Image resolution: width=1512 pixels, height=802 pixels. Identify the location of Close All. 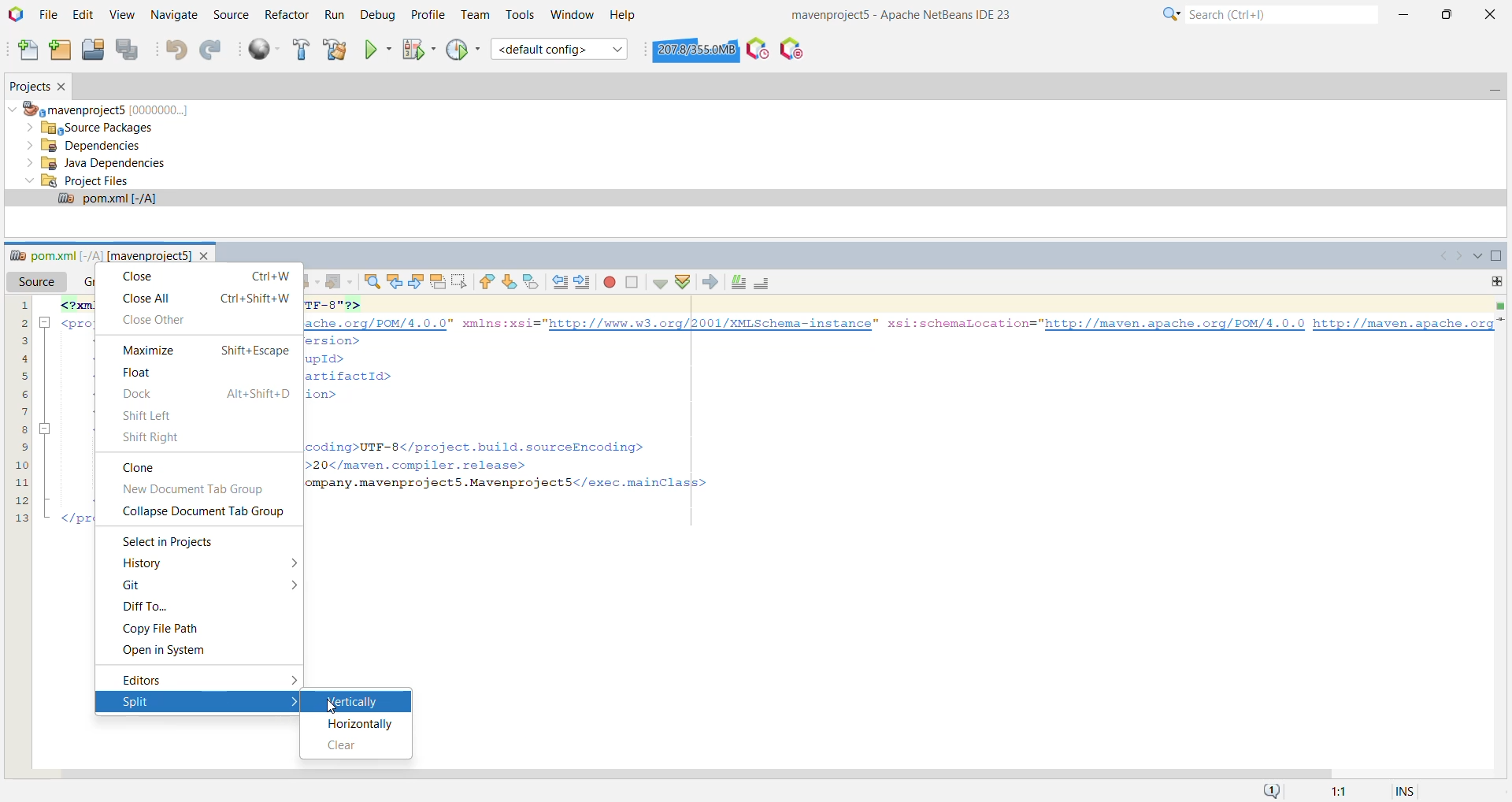
(206, 297).